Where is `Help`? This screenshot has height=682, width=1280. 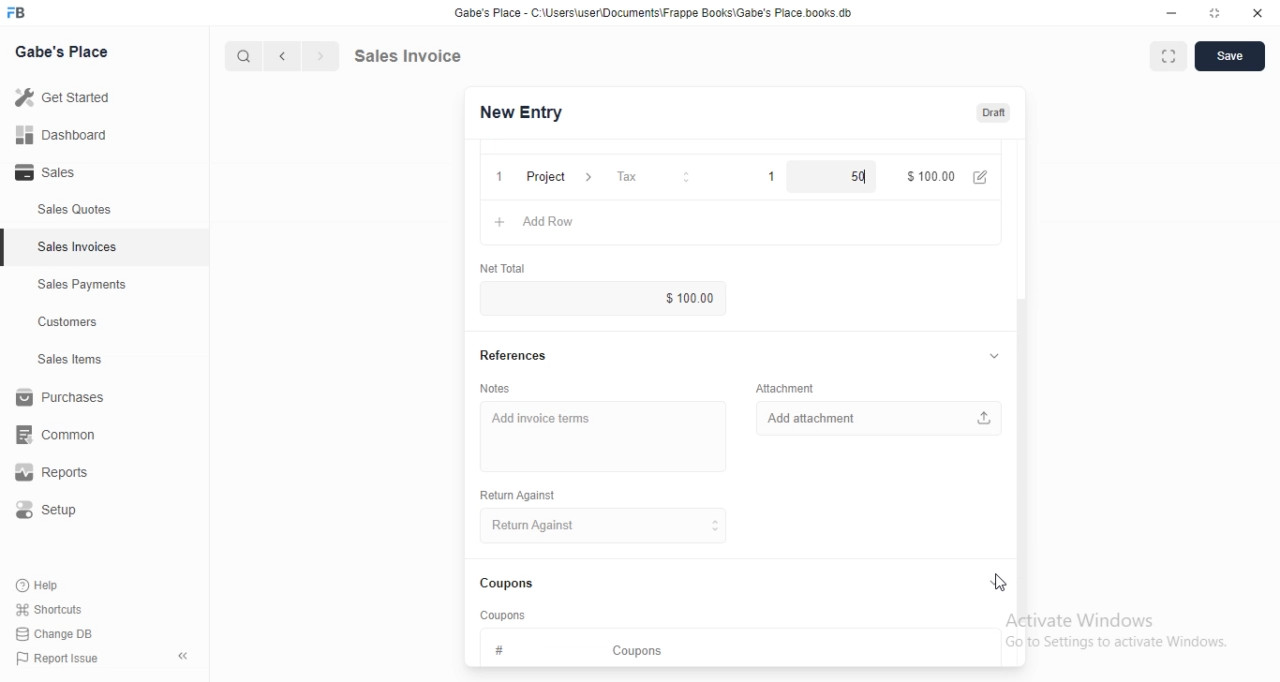
Help is located at coordinates (57, 584).